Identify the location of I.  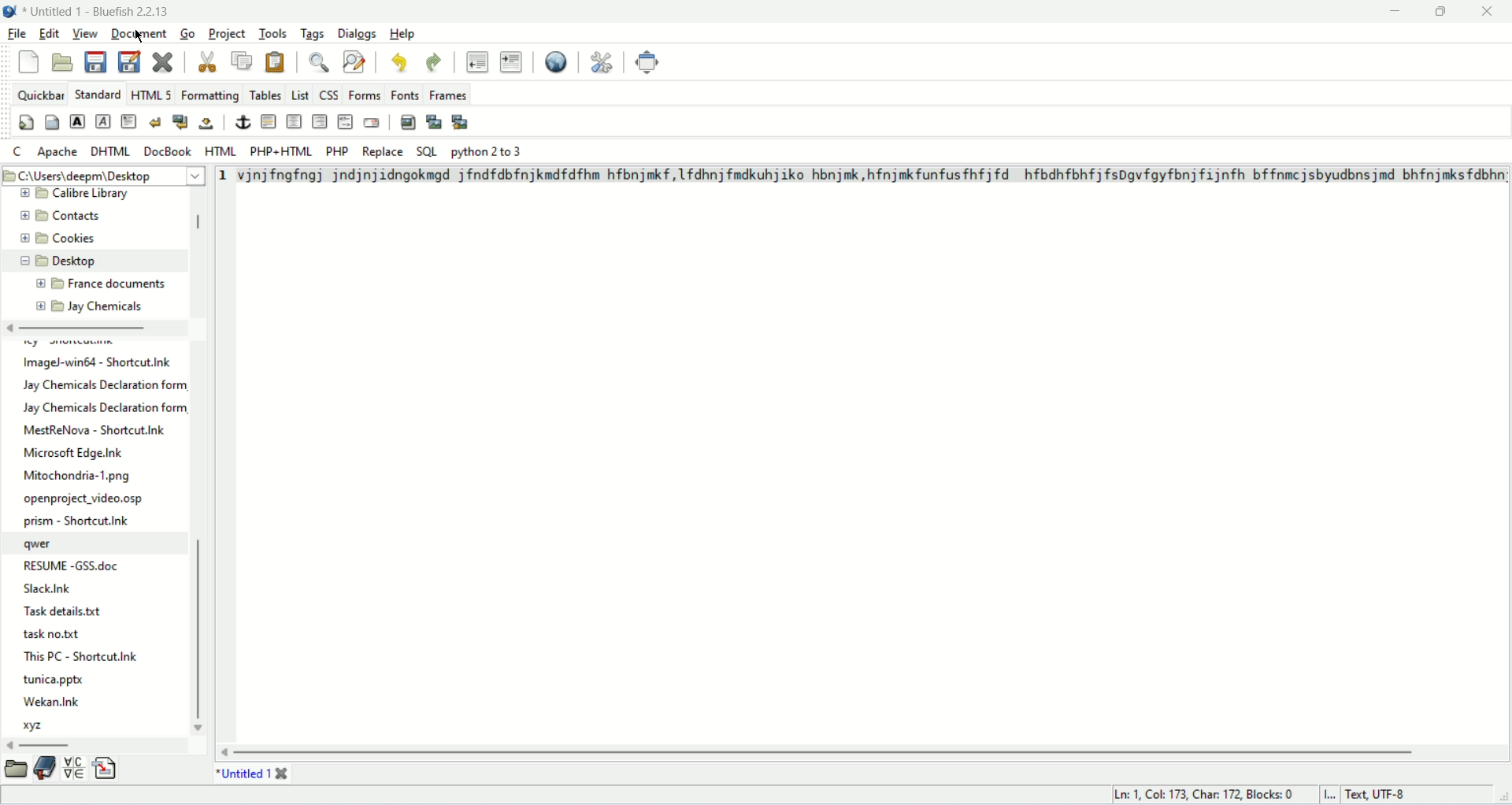
(1335, 796).